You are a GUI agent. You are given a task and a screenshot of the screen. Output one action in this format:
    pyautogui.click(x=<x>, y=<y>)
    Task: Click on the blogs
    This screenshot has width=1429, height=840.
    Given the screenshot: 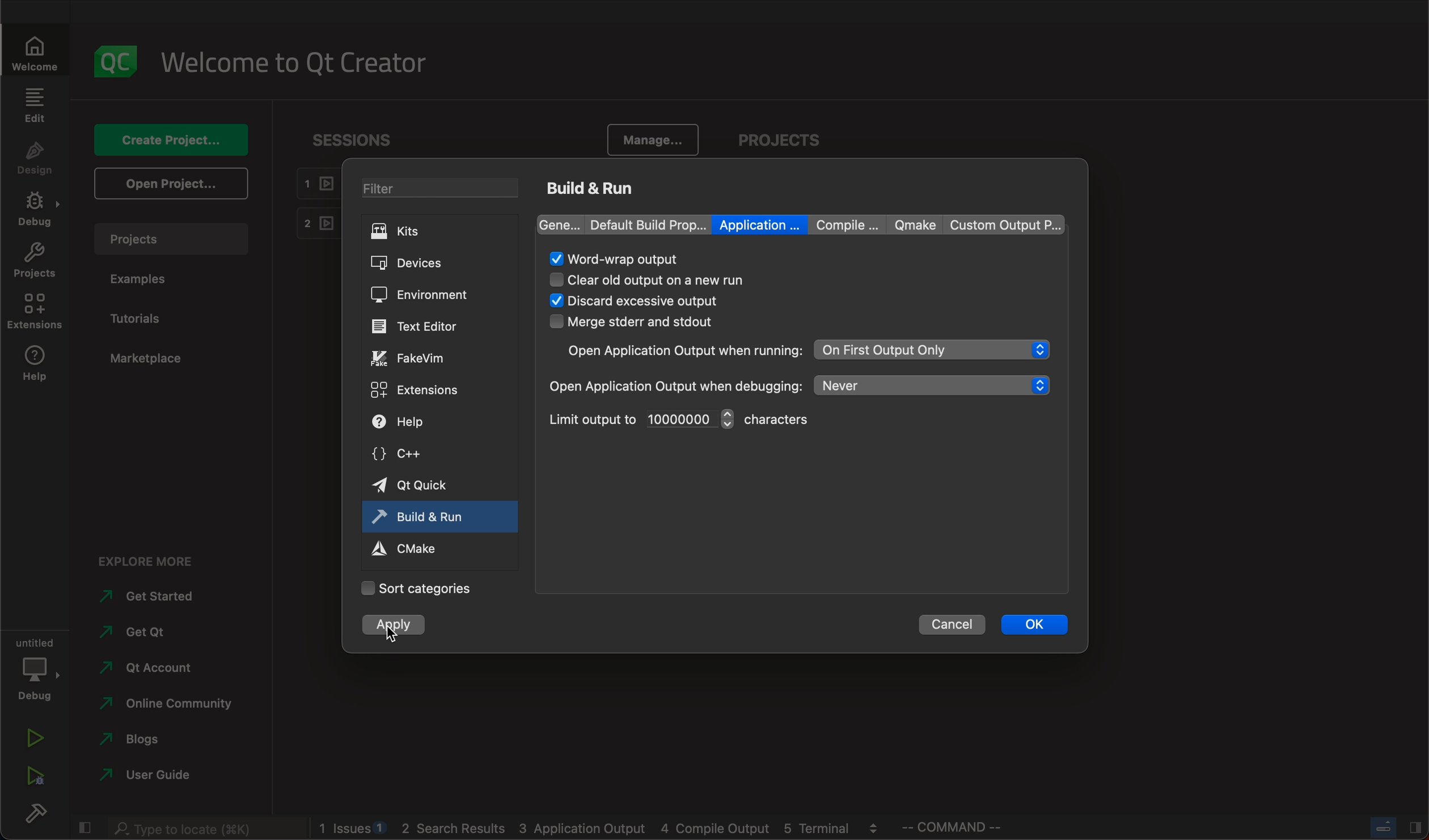 What is the action you would take?
    pyautogui.click(x=151, y=741)
    